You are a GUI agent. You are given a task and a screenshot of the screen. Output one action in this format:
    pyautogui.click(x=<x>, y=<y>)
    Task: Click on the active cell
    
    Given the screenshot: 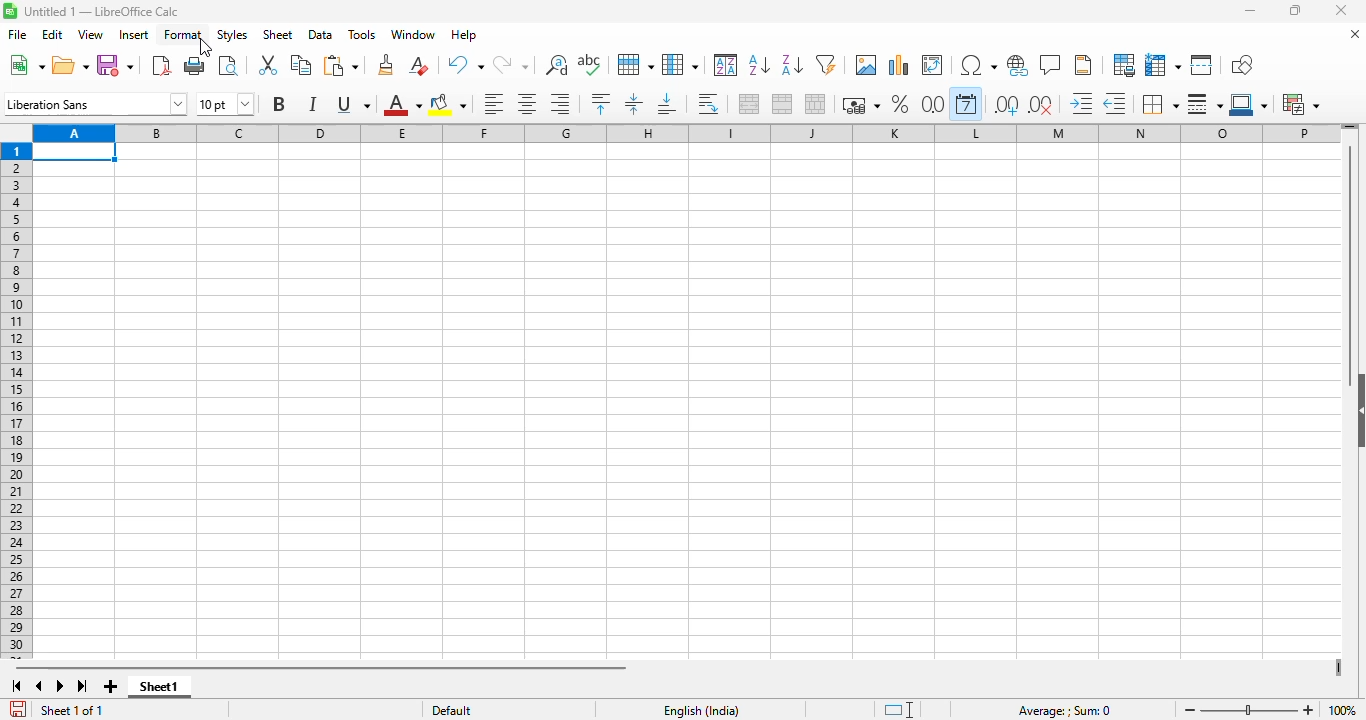 What is the action you would take?
    pyautogui.click(x=75, y=152)
    